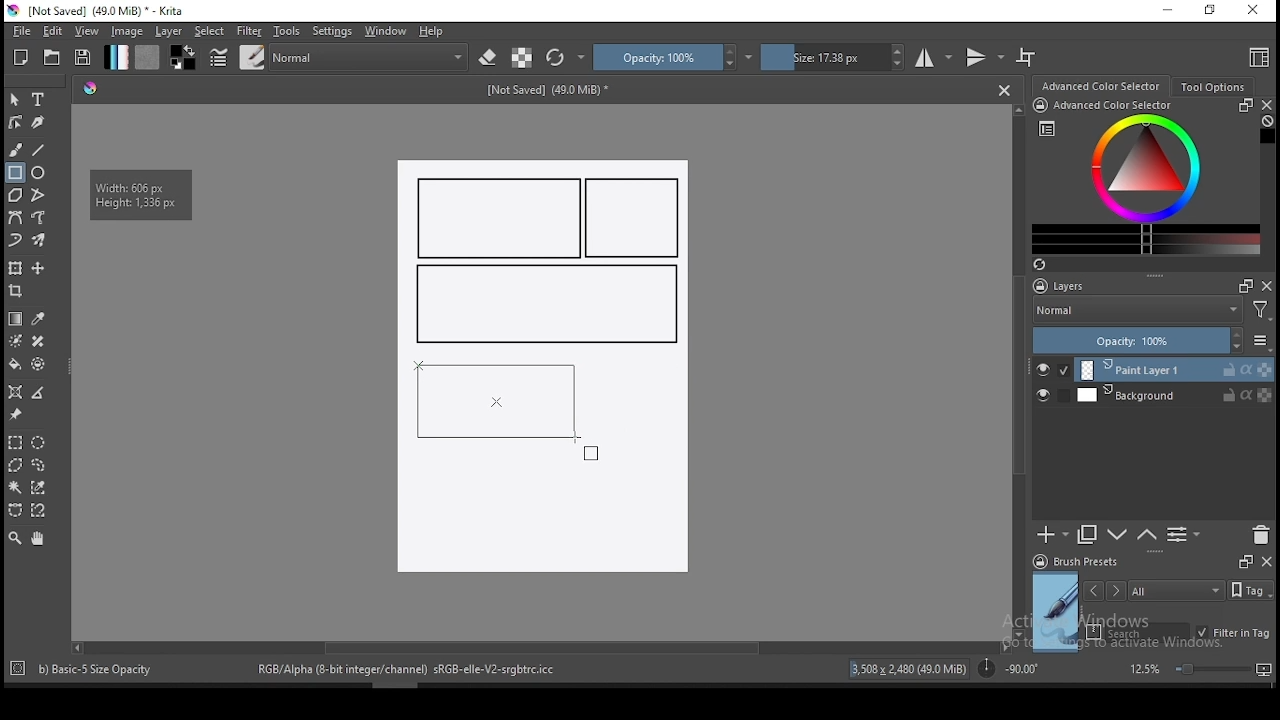  Describe the element at coordinates (39, 121) in the screenshot. I see `calligraphy` at that location.